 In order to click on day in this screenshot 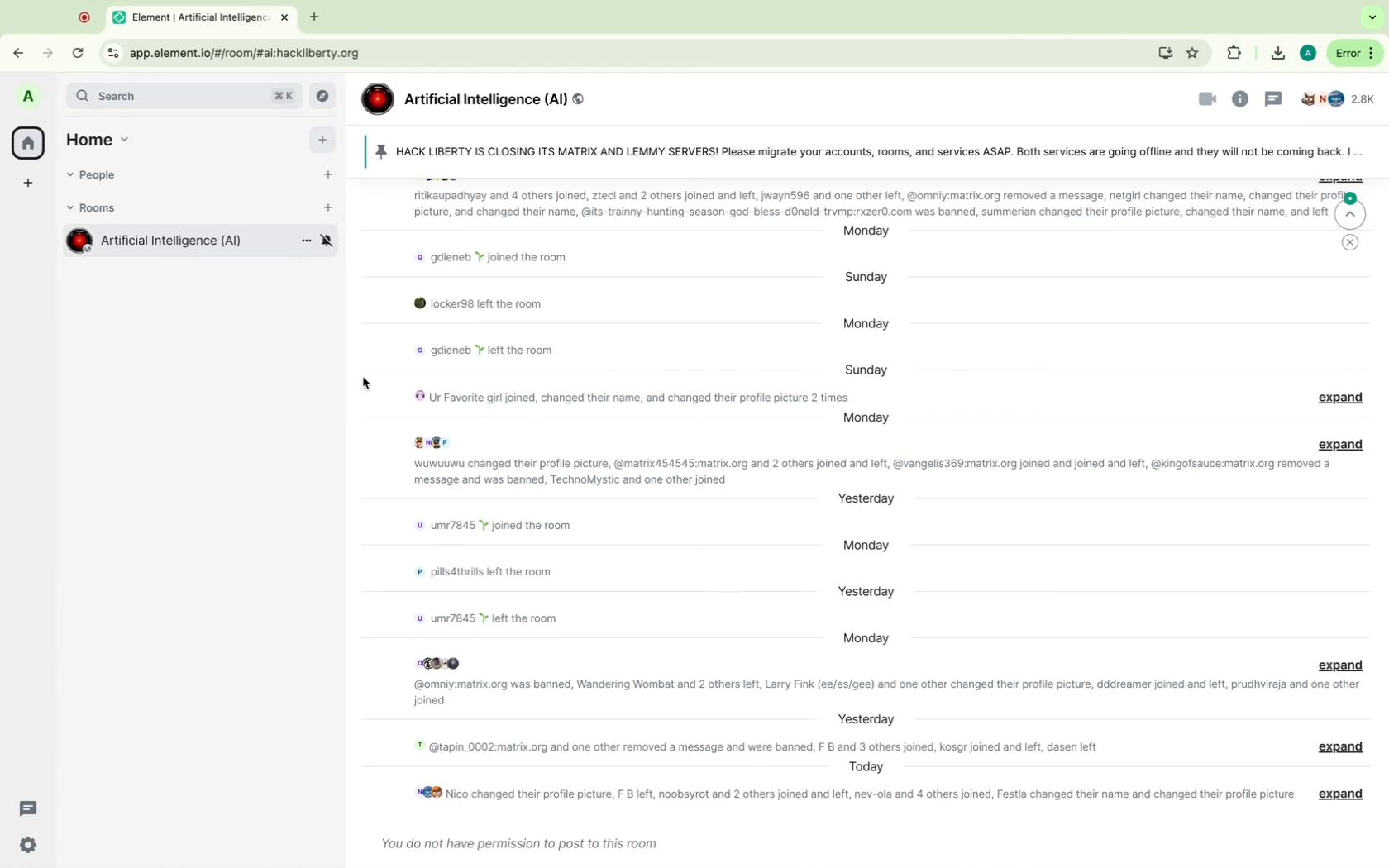, I will do `click(865, 637)`.